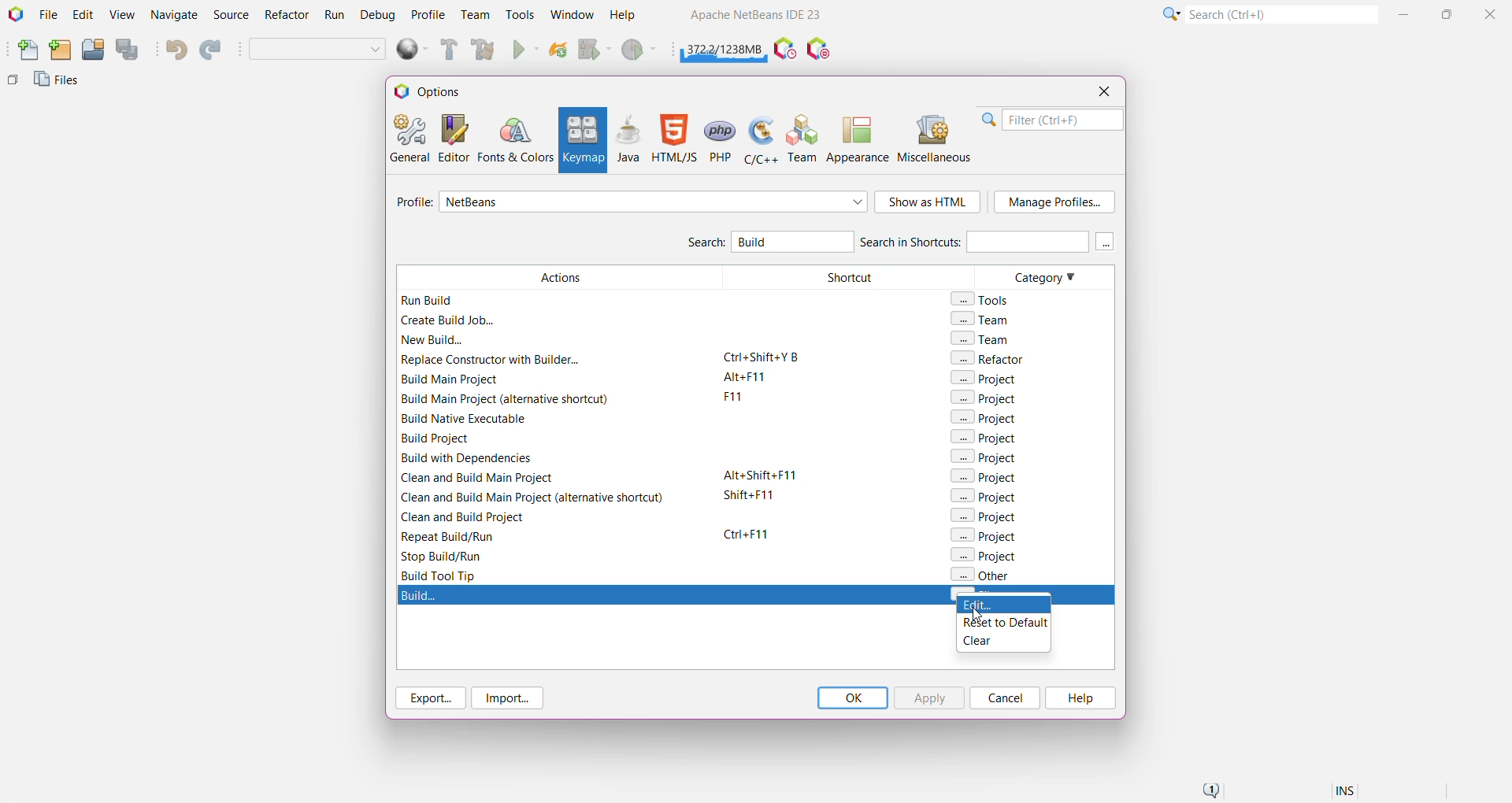 The image size is (1512, 803). What do you see at coordinates (510, 698) in the screenshot?
I see `Import` at bounding box center [510, 698].